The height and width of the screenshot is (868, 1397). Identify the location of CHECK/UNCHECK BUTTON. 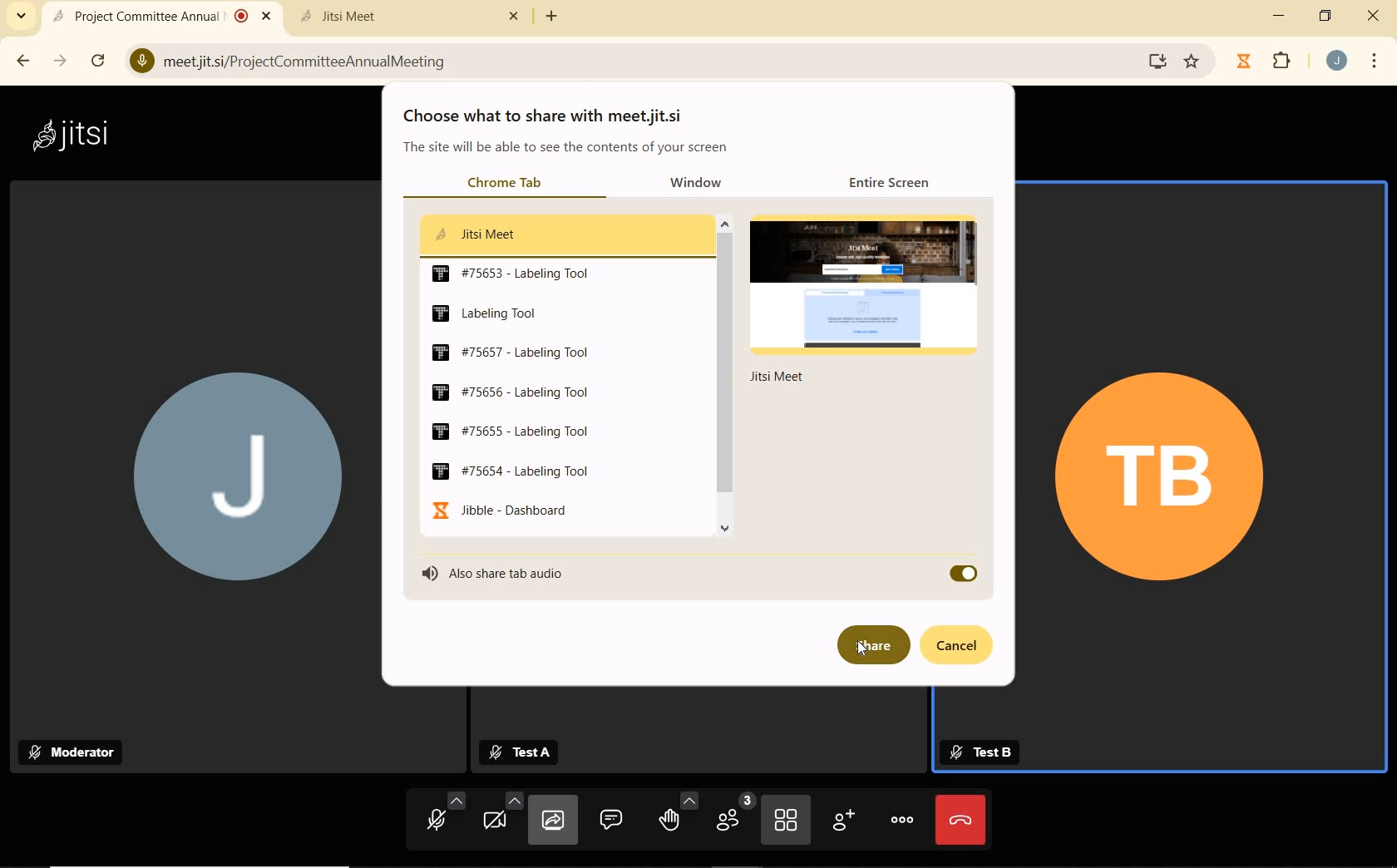
(962, 574).